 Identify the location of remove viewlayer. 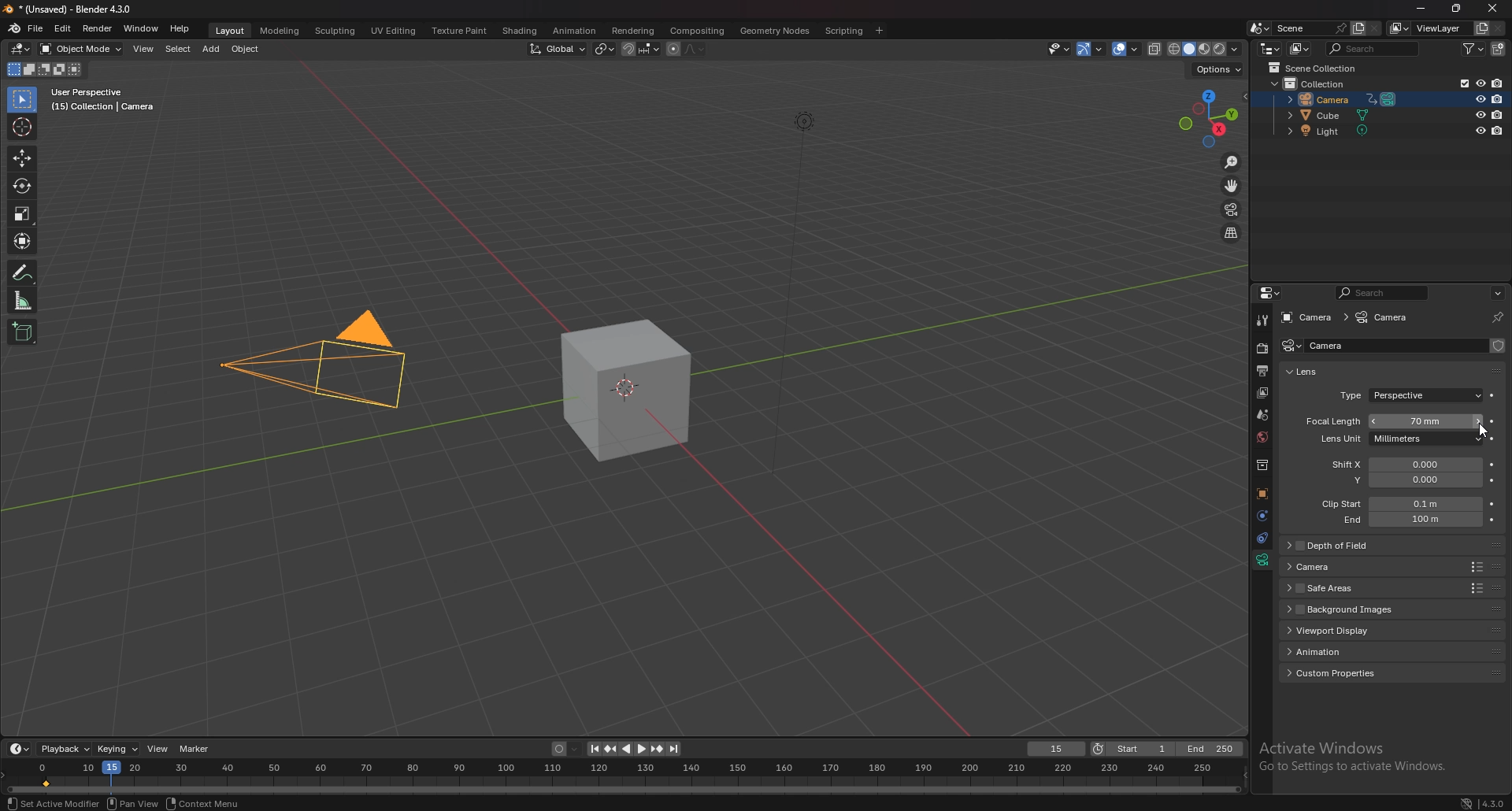
(1499, 28).